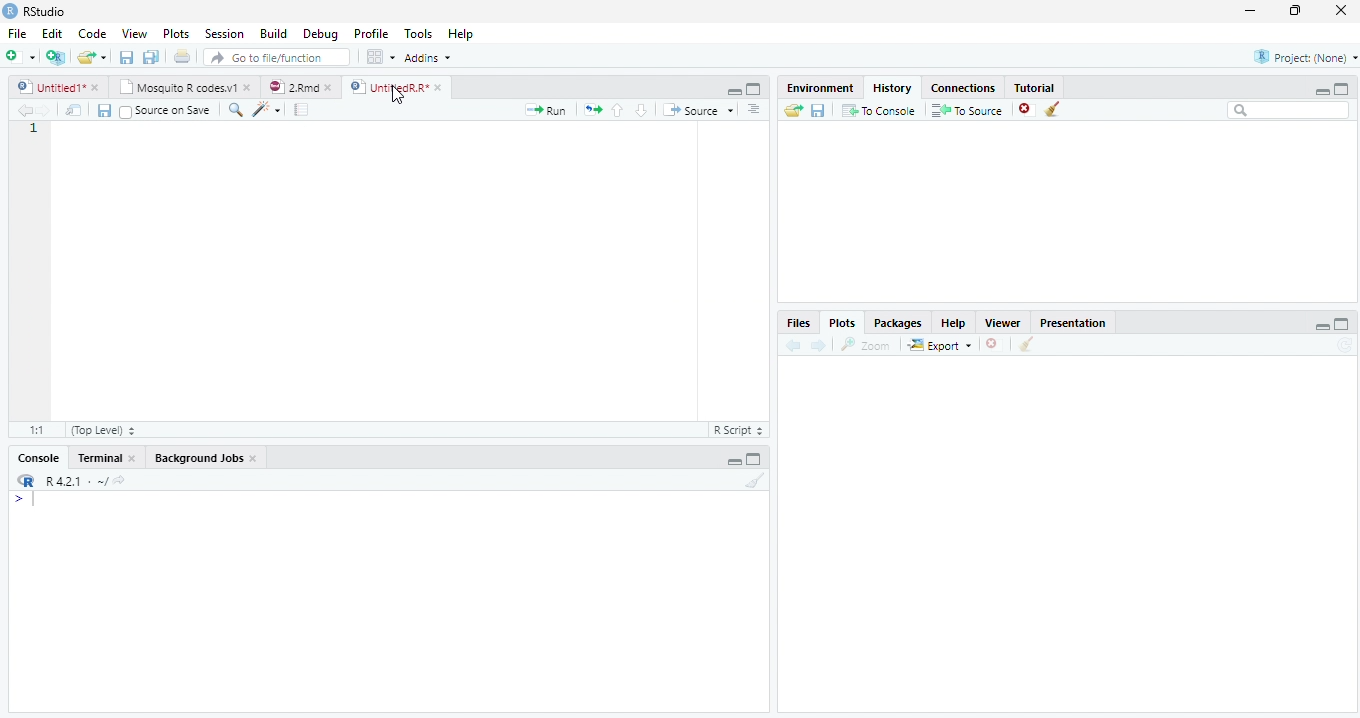 This screenshot has height=718, width=1360. What do you see at coordinates (74, 110) in the screenshot?
I see `Show in new window` at bounding box center [74, 110].